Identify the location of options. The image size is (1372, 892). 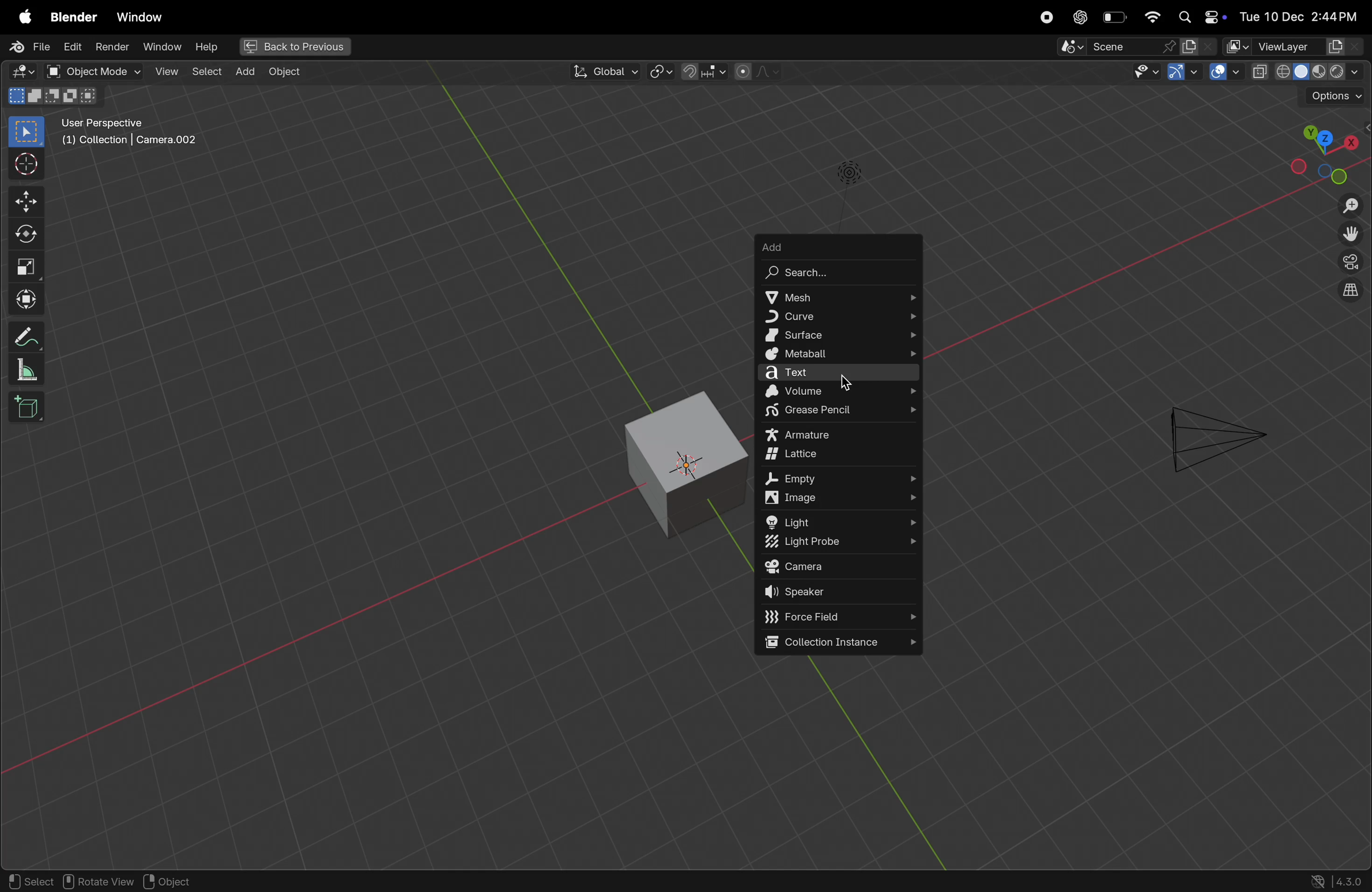
(1335, 99).